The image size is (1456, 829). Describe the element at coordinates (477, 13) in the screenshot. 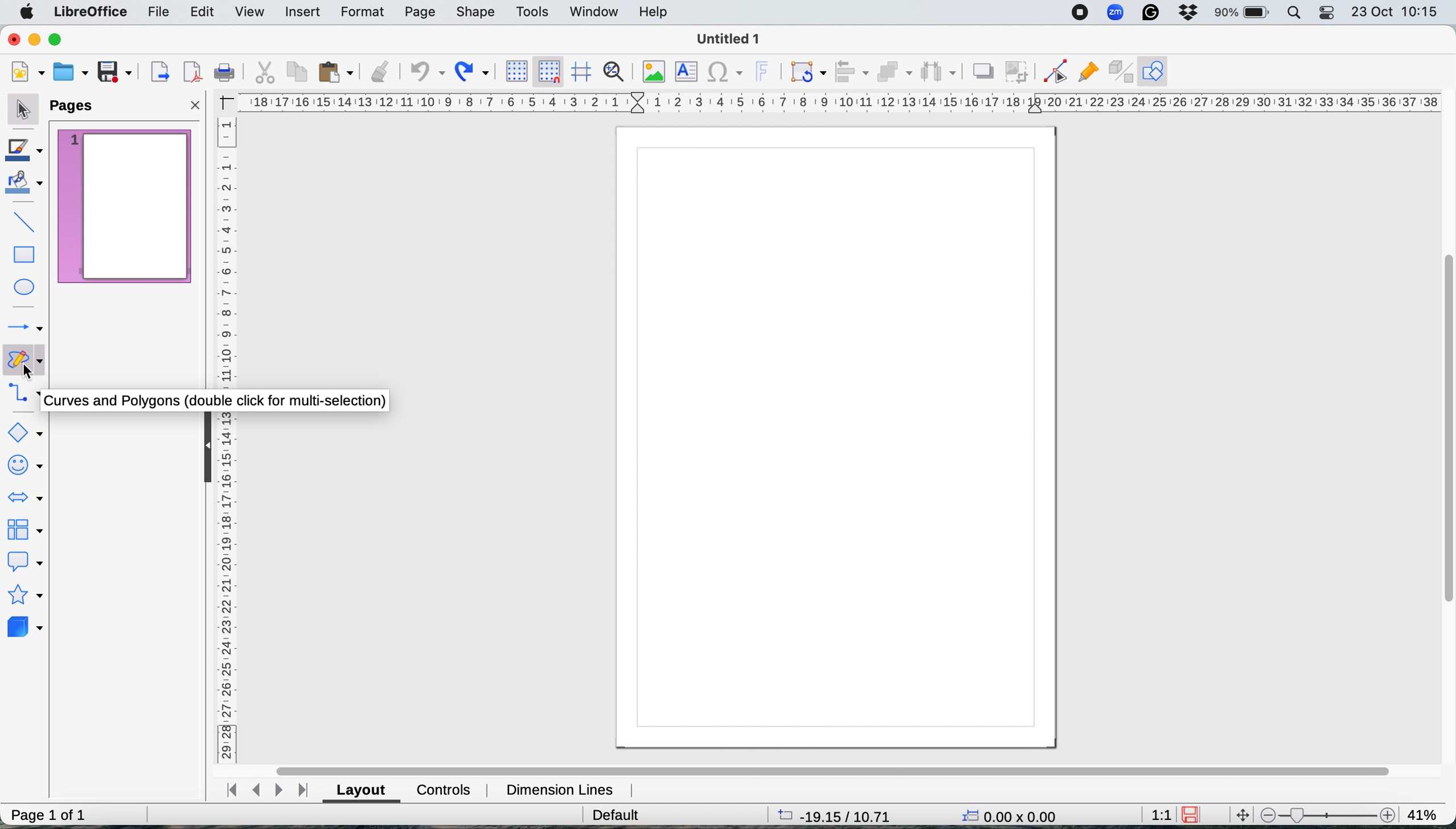

I see `shape` at that location.